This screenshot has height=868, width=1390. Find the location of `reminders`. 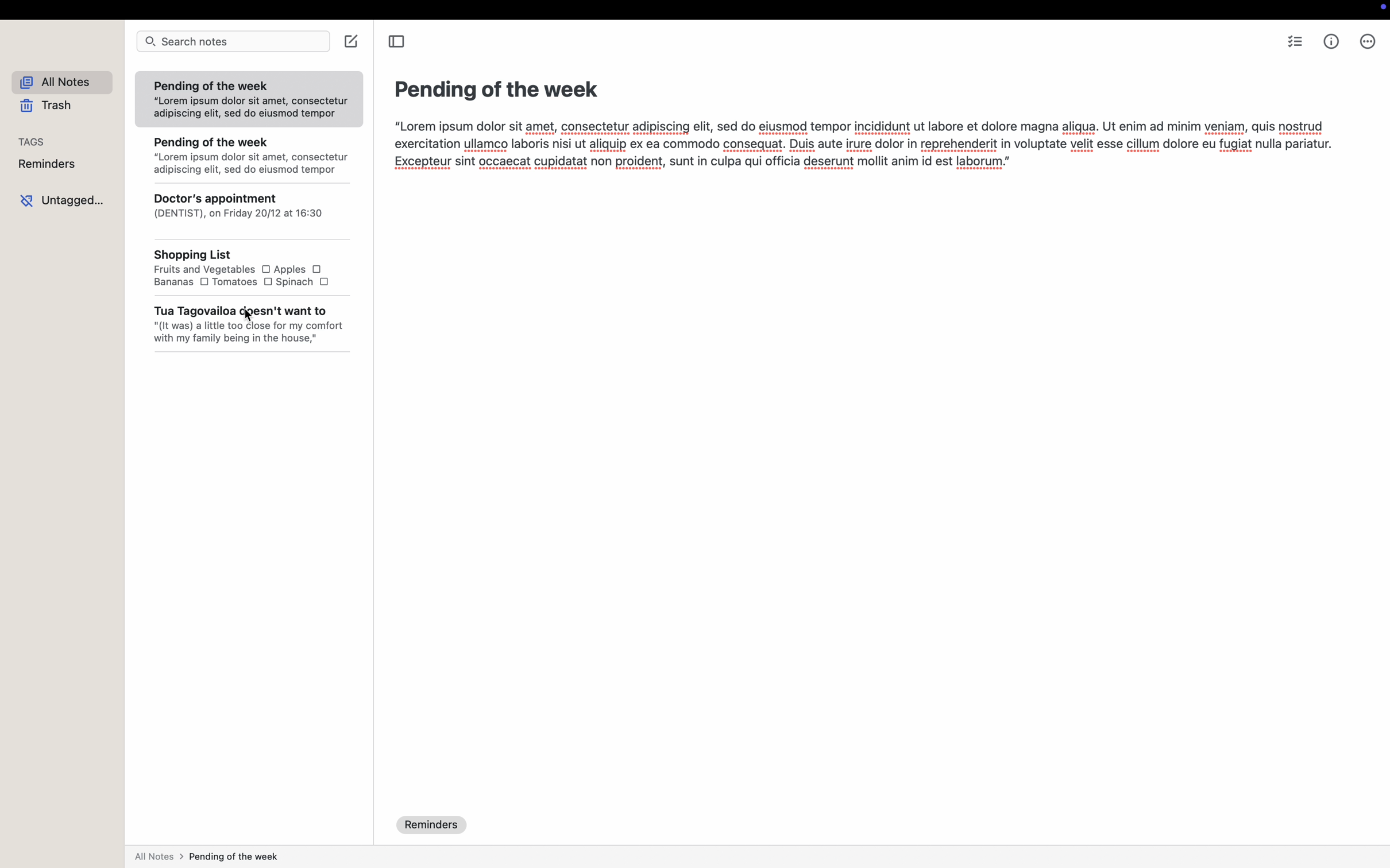

reminders is located at coordinates (49, 165).